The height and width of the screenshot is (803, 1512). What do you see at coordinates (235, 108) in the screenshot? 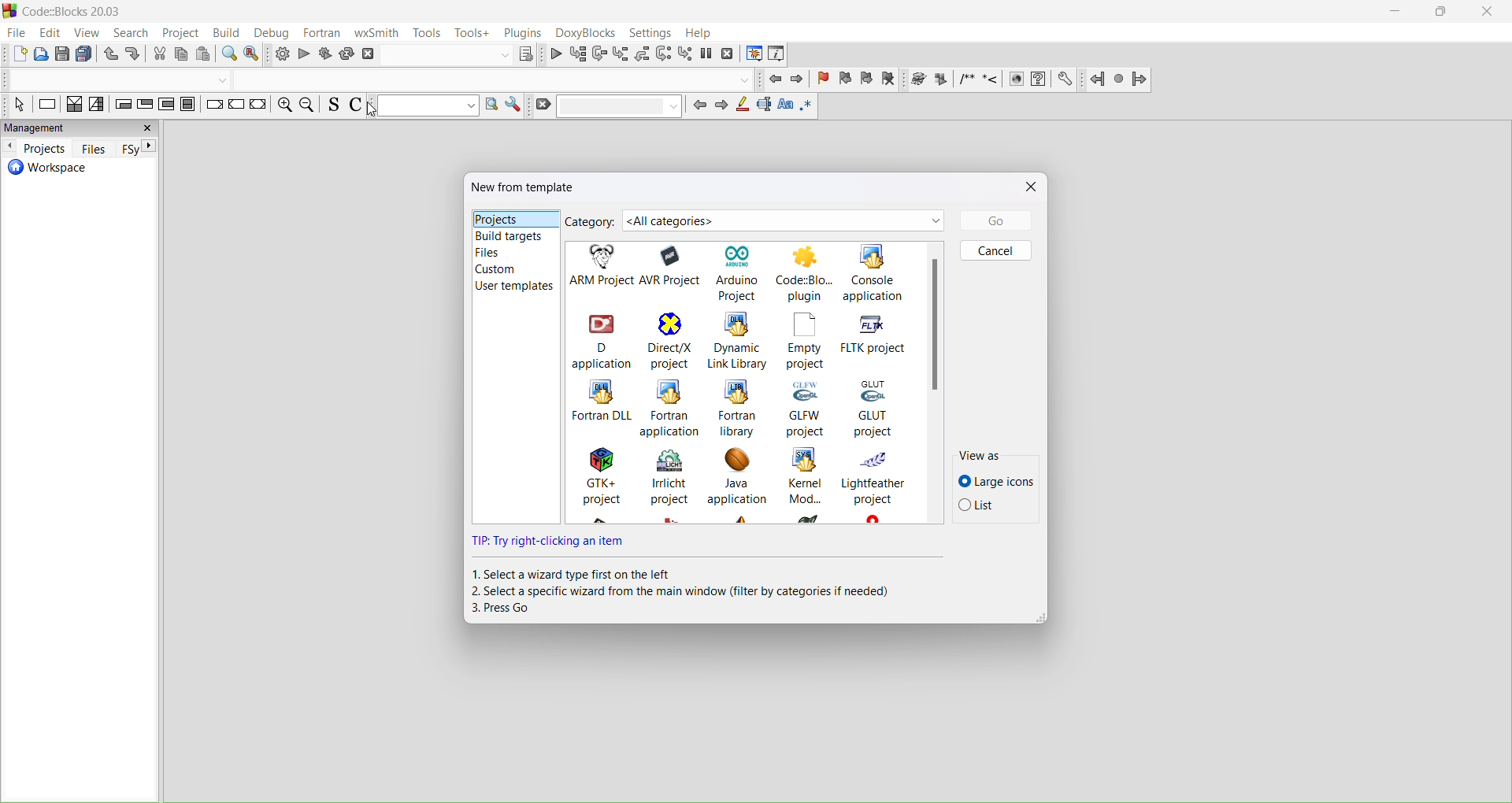
I see `continue instructions` at bounding box center [235, 108].